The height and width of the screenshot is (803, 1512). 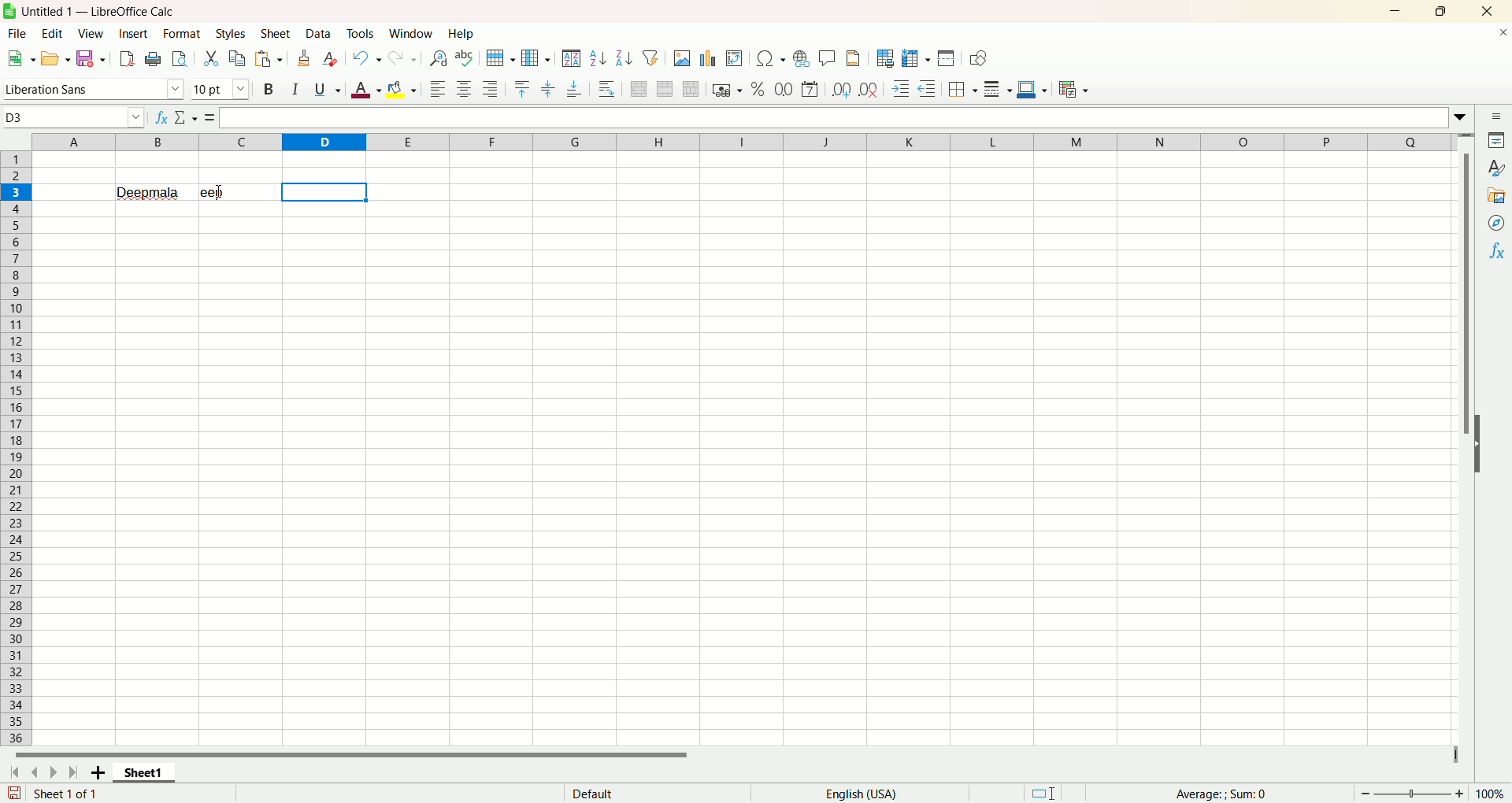 What do you see at coordinates (94, 774) in the screenshot?
I see `new sheet` at bounding box center [94, 774].